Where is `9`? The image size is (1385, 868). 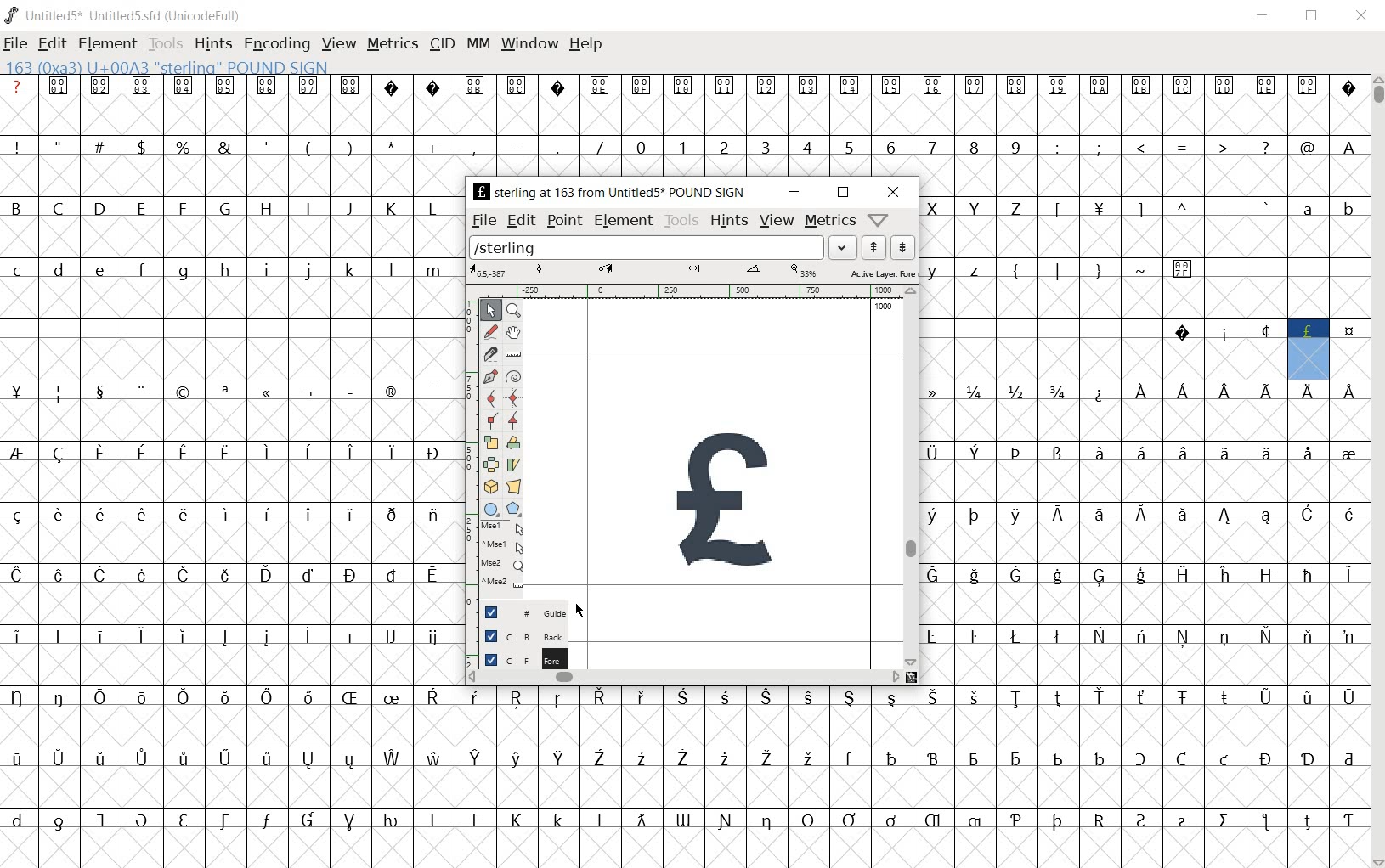 9 is located at coordinates (1015, 146).